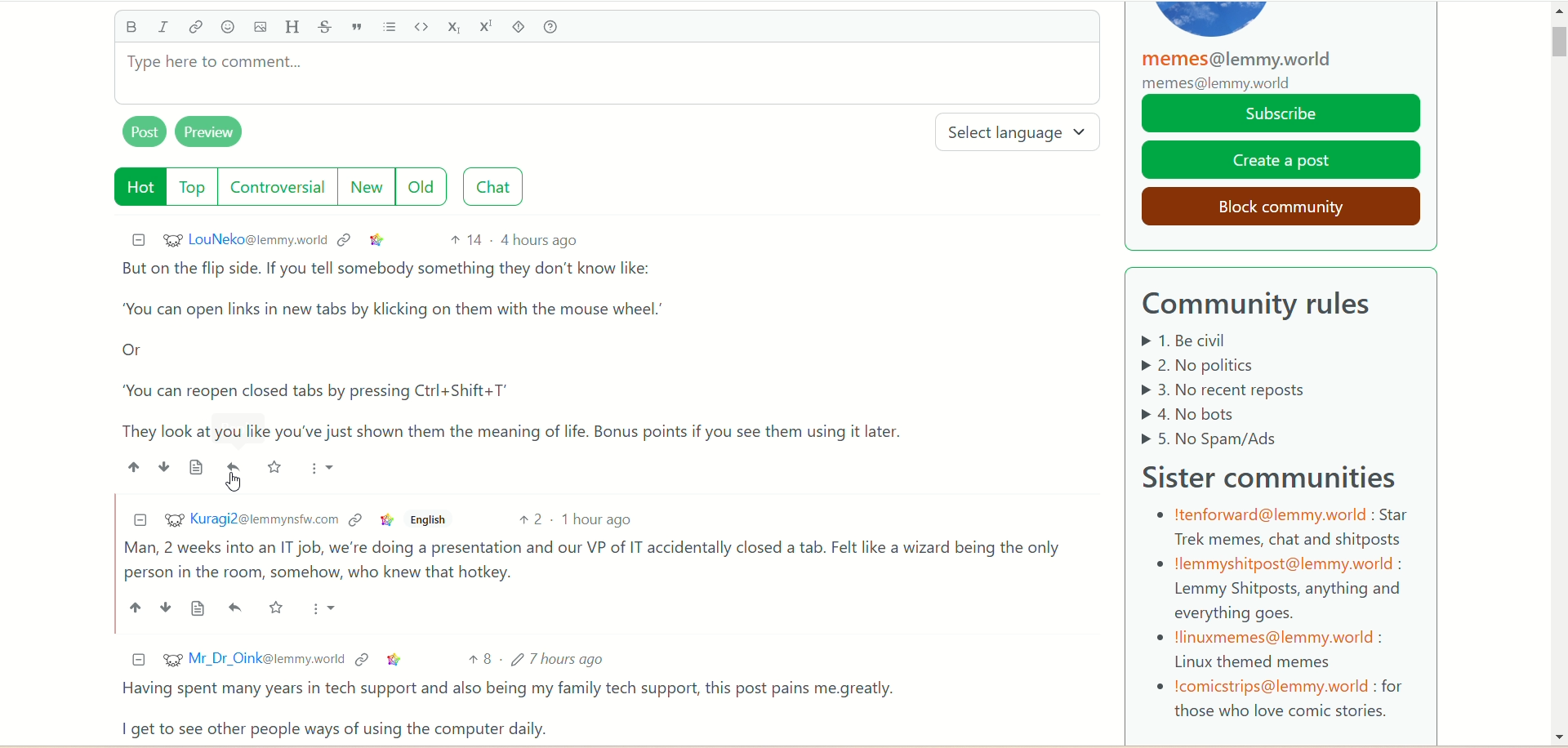  What do you see at coordinates (1025, 134) in the screenshot?
I see `select language` at bounding box center [1025, 134].